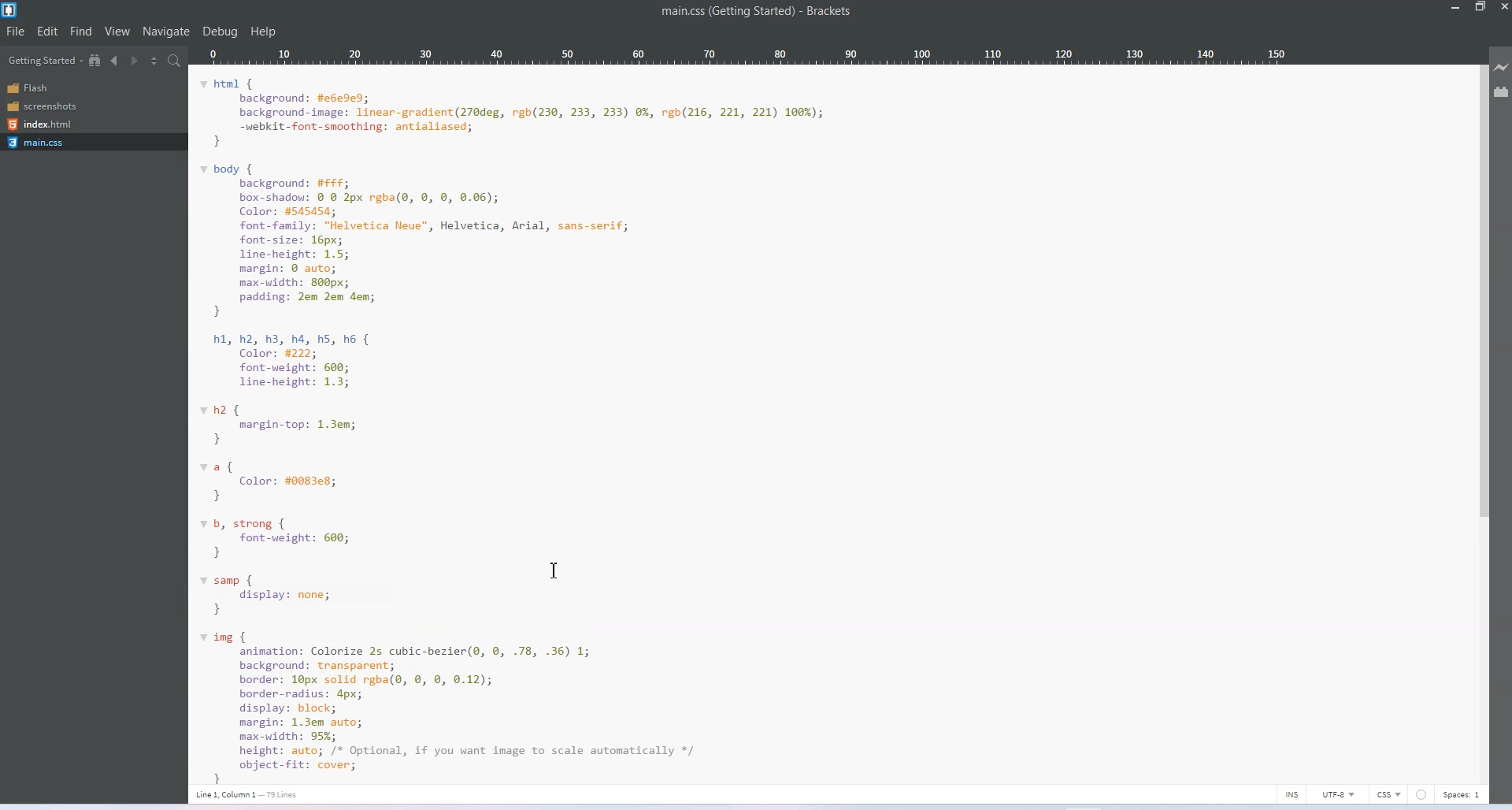  Describe the element at coordinates (1340, 793) in the screenshot. I see `UTF-8` at that location.